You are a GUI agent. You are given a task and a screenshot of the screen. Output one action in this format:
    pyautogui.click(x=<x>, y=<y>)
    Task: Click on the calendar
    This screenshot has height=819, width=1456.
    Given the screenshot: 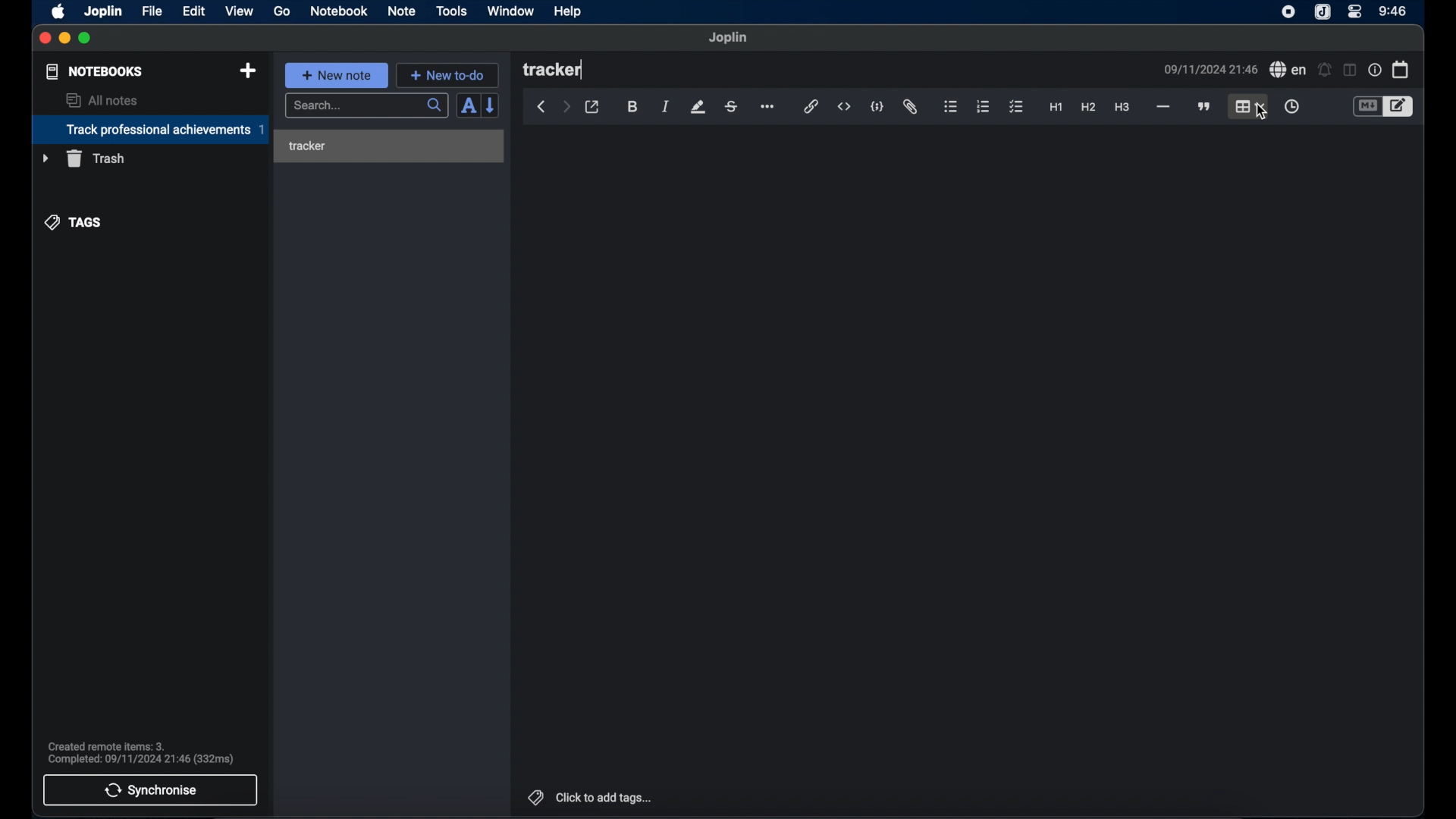 What is the action you would take?
    pyautogui.click(x=1401, y=69)
    